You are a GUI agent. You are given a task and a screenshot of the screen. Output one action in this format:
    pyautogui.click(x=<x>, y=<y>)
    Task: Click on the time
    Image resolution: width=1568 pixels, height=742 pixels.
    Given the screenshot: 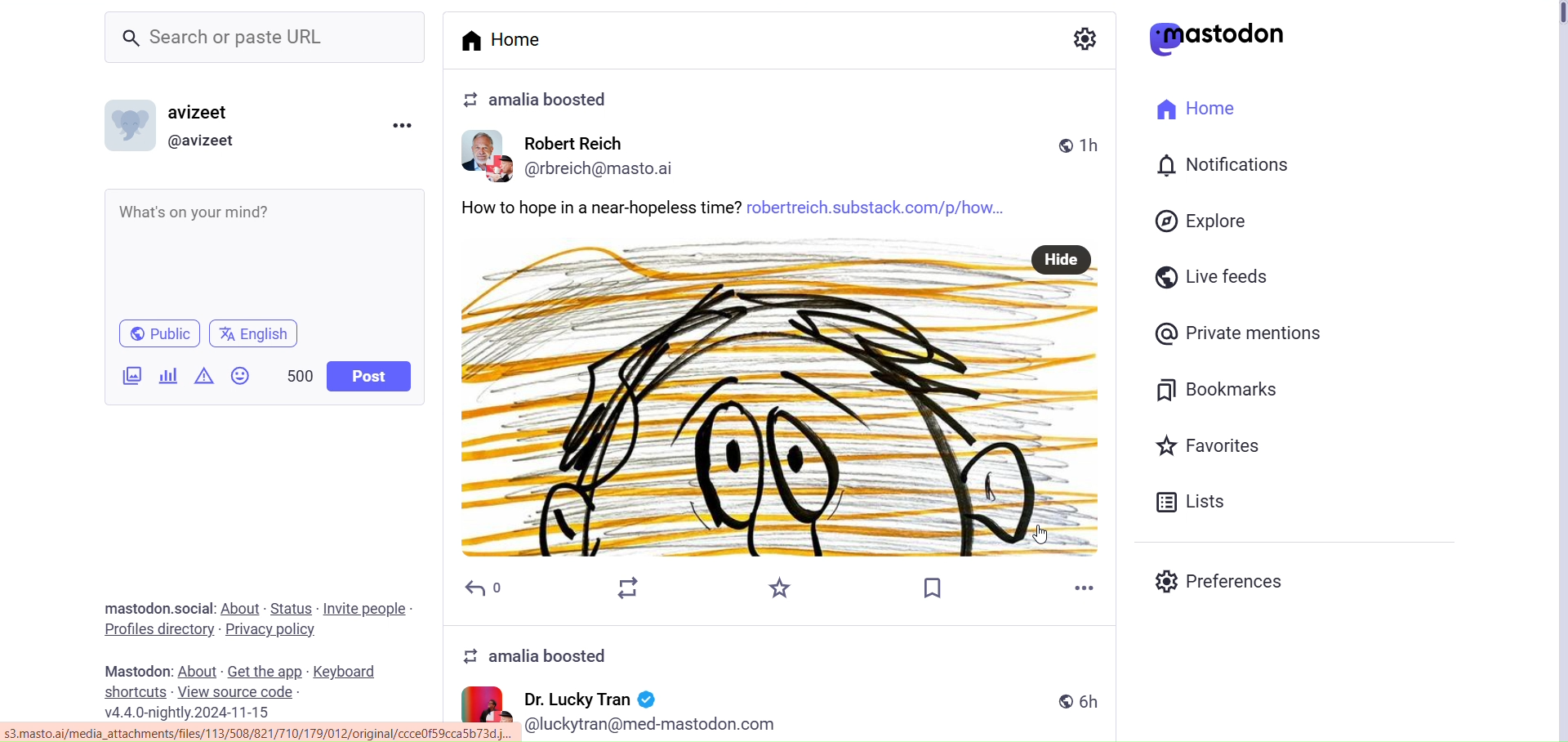 What is the action you would take?
    pyautogui.click(x=1081, y=140)
    